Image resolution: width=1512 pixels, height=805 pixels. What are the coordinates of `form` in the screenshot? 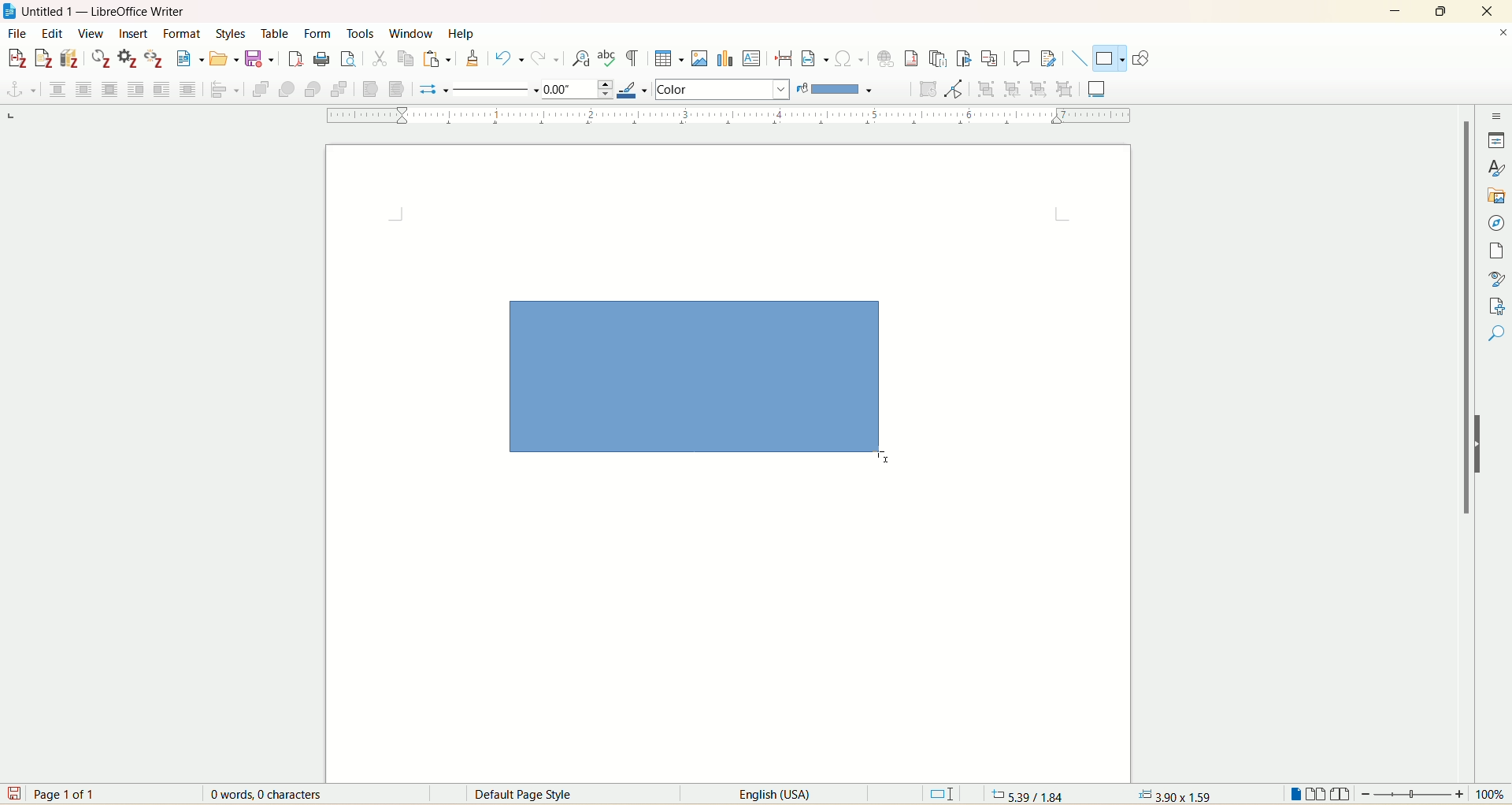 It's located at (321, 35).